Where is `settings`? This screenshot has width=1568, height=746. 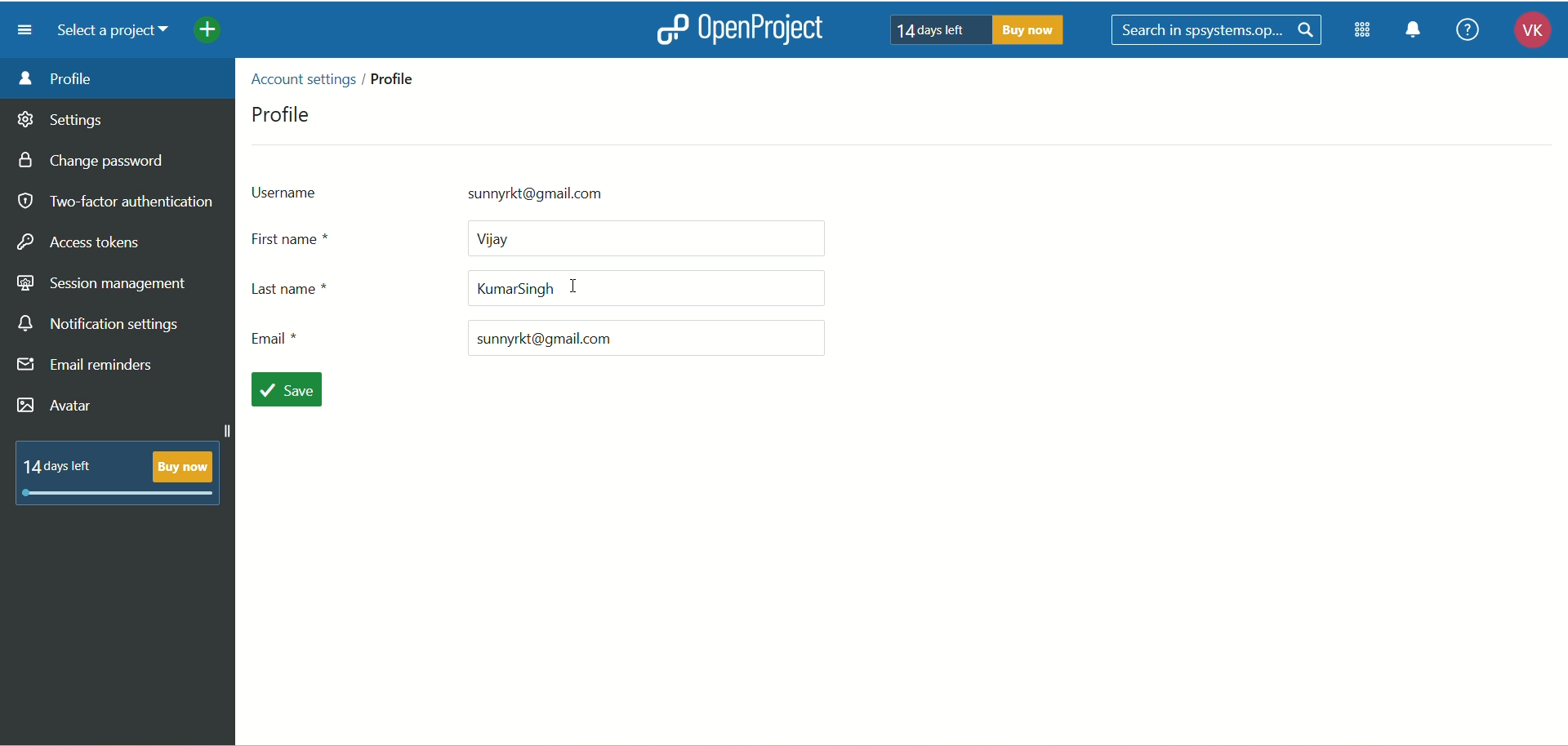 settings is located at coordinates (61, 122).